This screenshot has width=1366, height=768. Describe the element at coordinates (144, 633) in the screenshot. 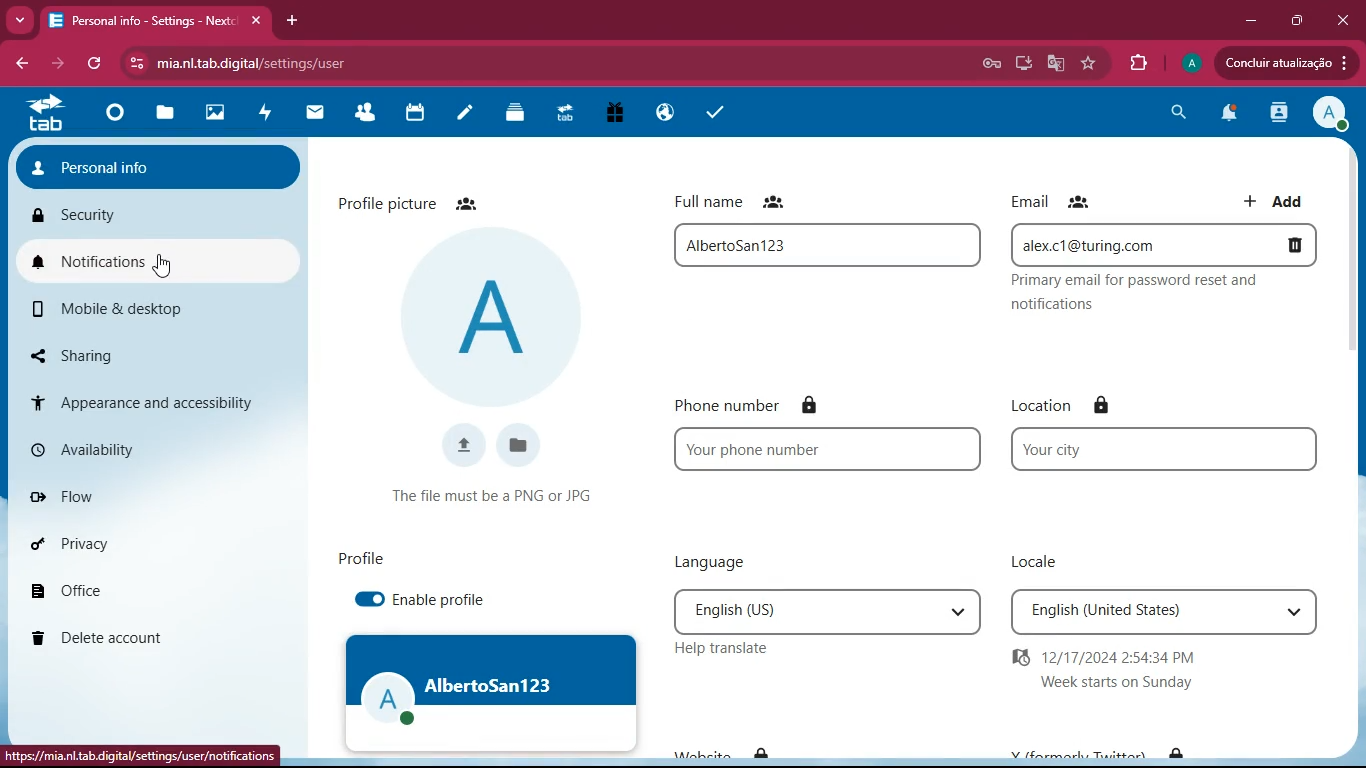

I see `delete` at that location.